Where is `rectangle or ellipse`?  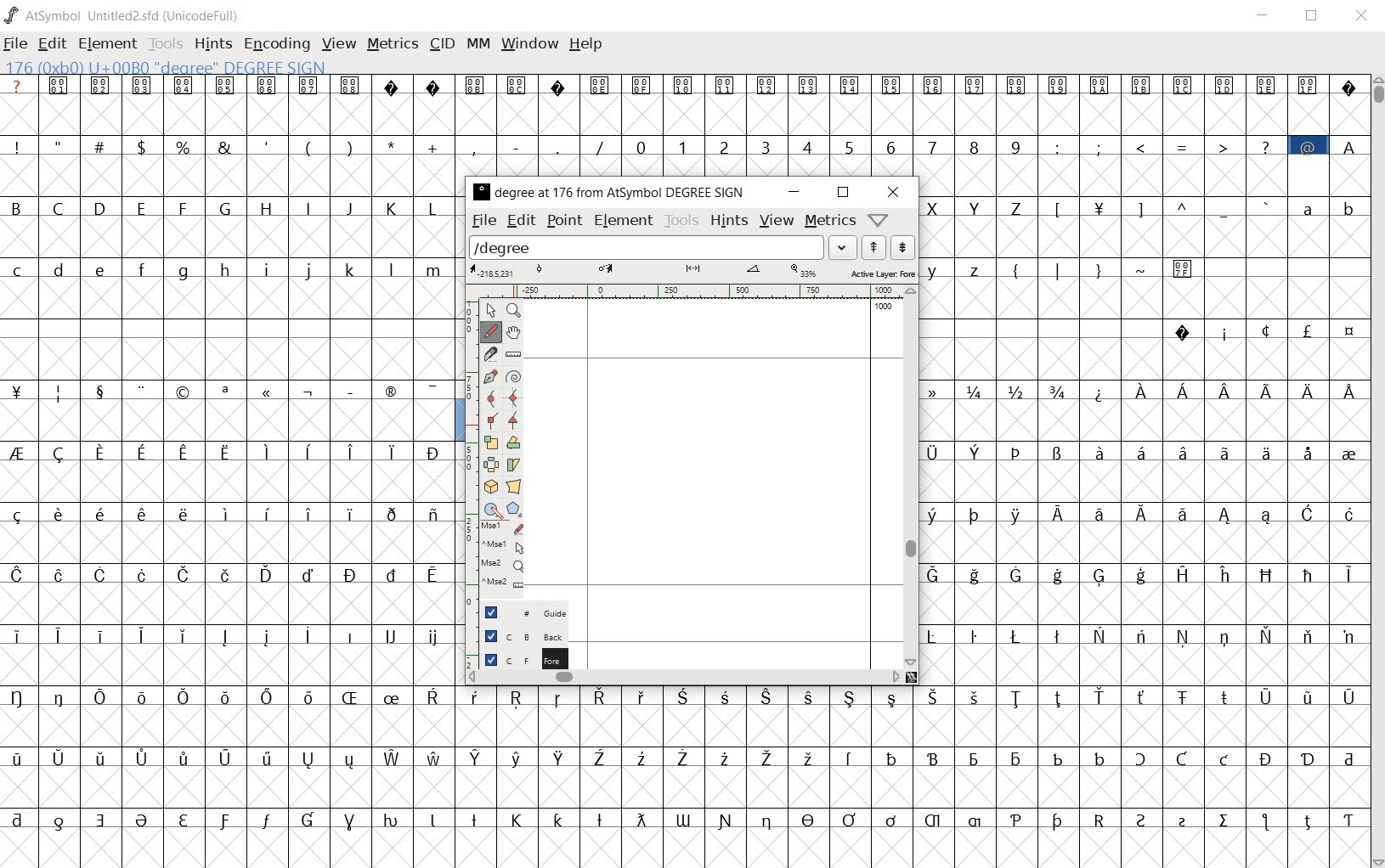 rectangle or ellipse is located at coordinates (490, 508).